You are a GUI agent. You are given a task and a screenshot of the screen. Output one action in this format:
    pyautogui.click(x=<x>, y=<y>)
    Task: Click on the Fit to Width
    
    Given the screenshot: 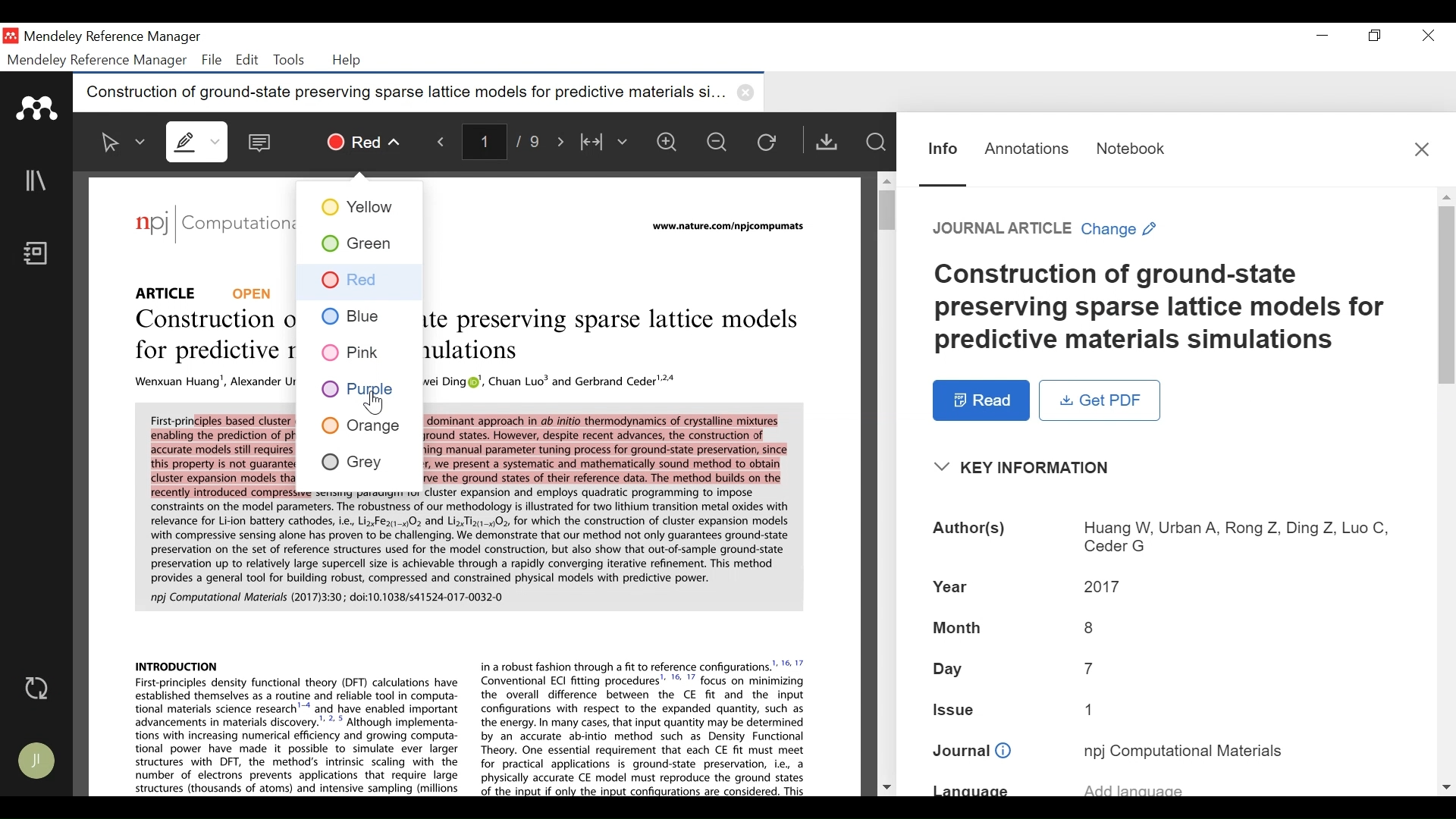 What is the action you would take?
    pyautogui.click(x=607, y=142)
    